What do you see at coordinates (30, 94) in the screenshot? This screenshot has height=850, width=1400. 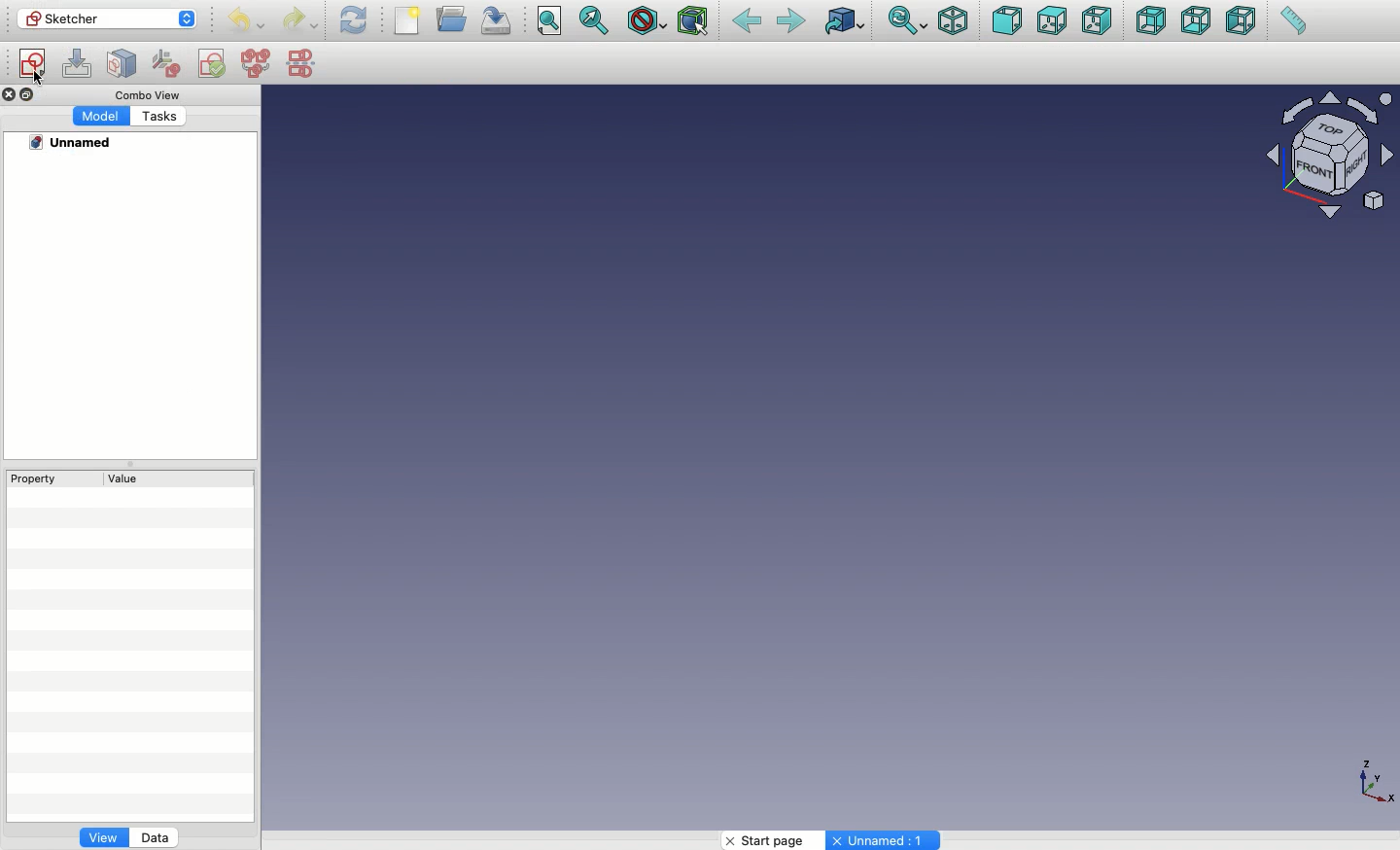 I see `` at bounding box center [30, 94].